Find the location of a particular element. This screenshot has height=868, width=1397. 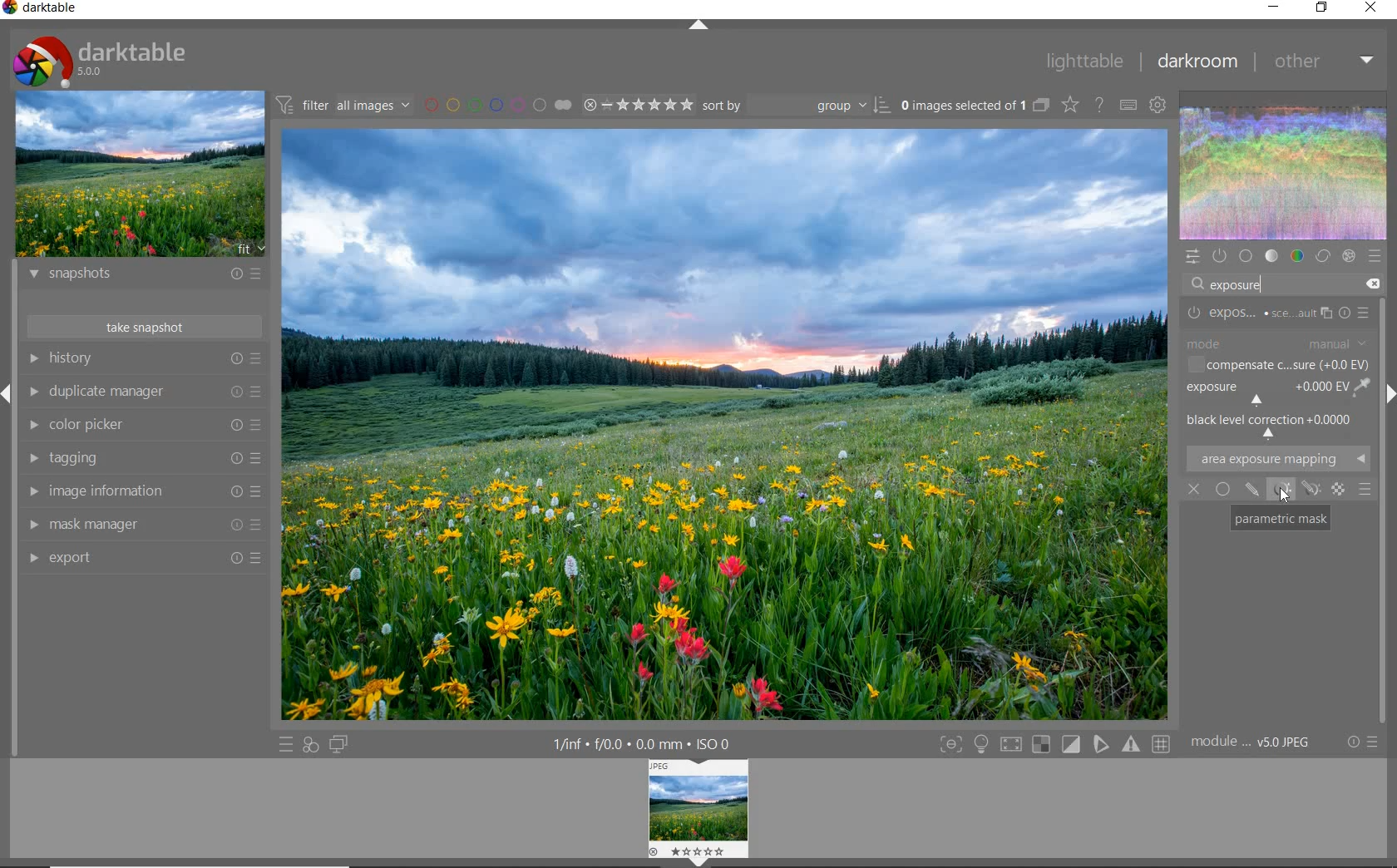

minimize is located at coordinates (1273, 7).